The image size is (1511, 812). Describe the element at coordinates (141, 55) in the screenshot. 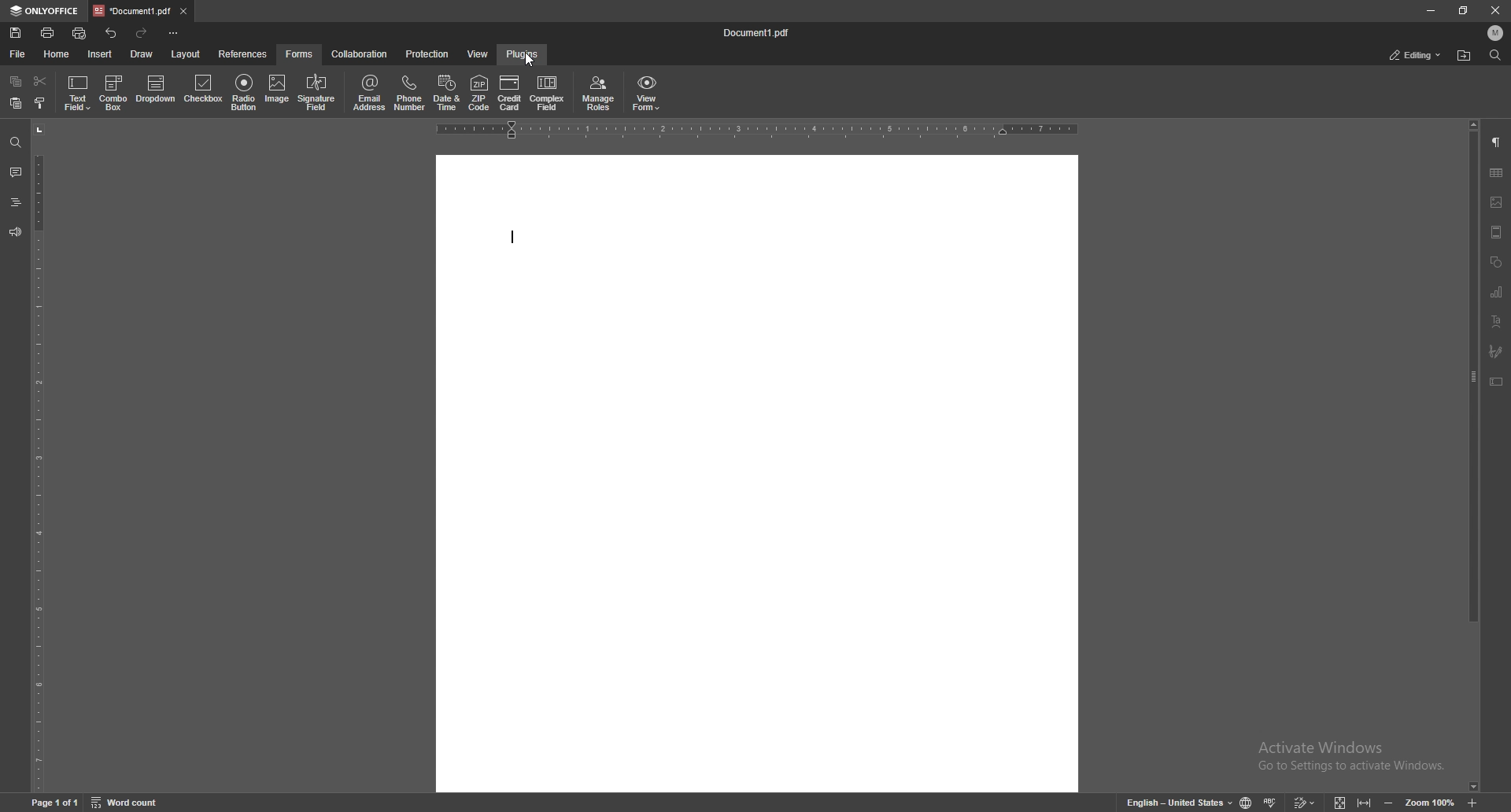

I see `draw` at that location.